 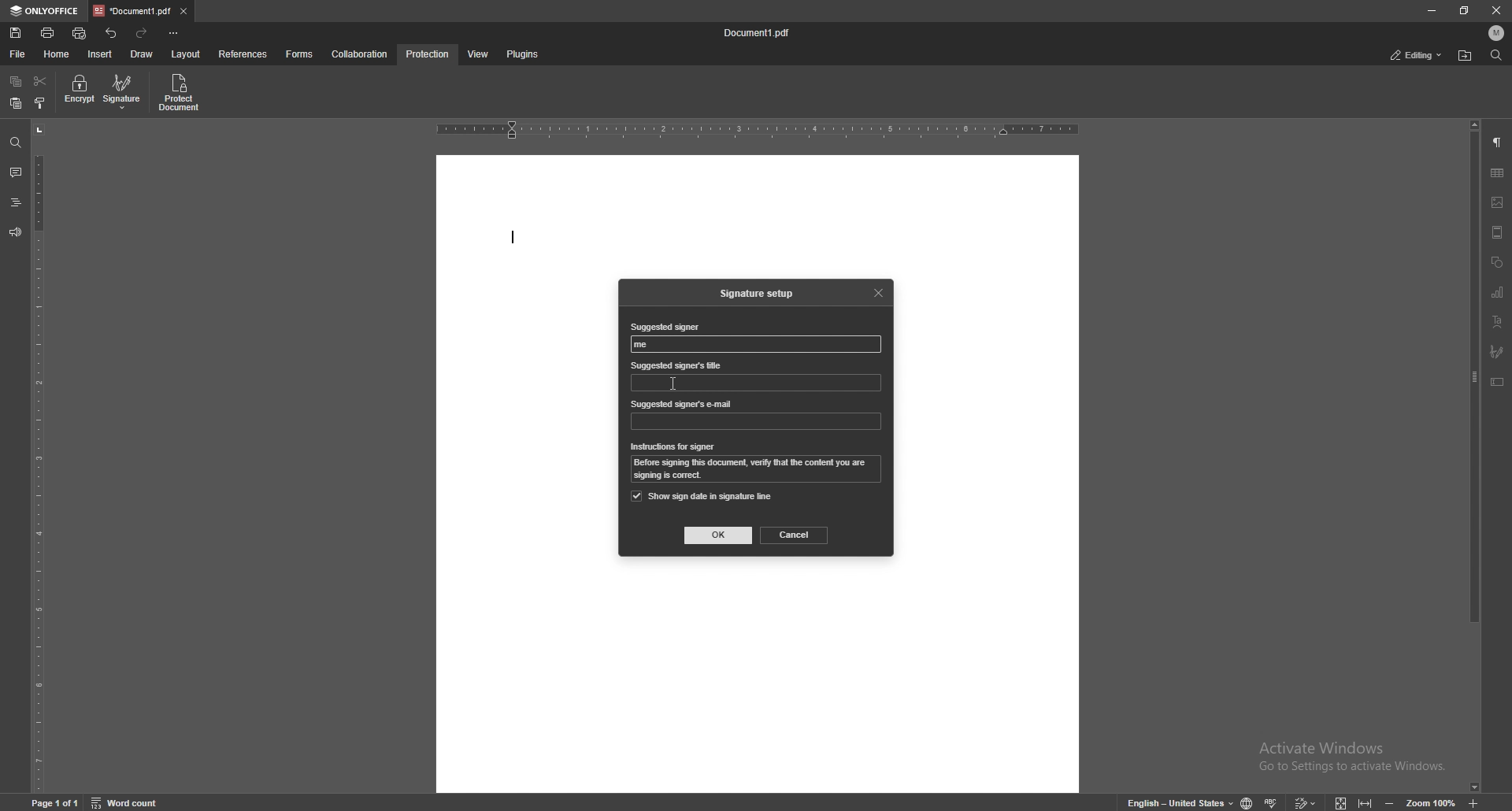 What do you see at coordinates (758, 470) in the screenshot?
I see `instruction` at bounding box center [758, 470].